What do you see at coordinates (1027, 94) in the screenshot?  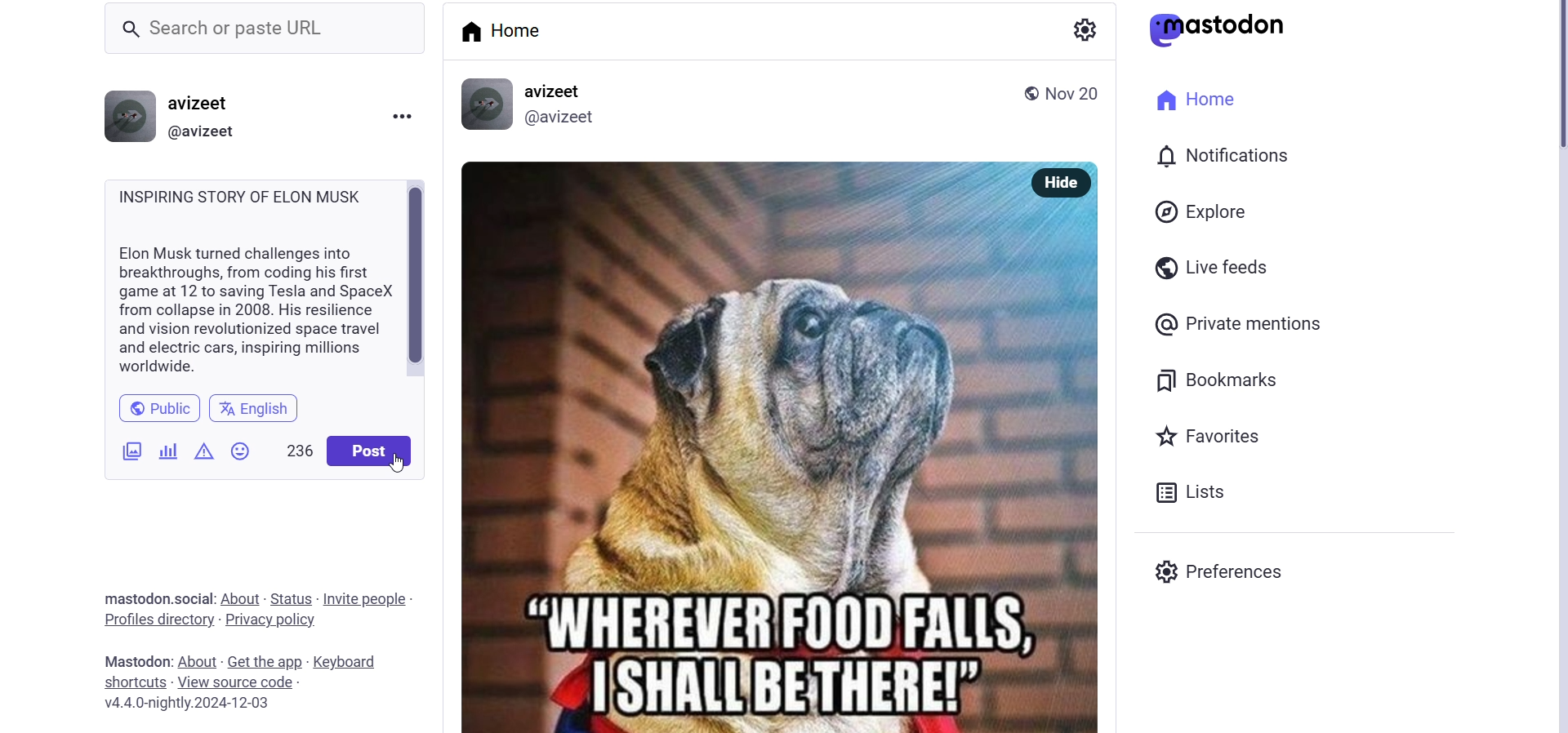 I see `global post` at bounding box center [1027, 94].